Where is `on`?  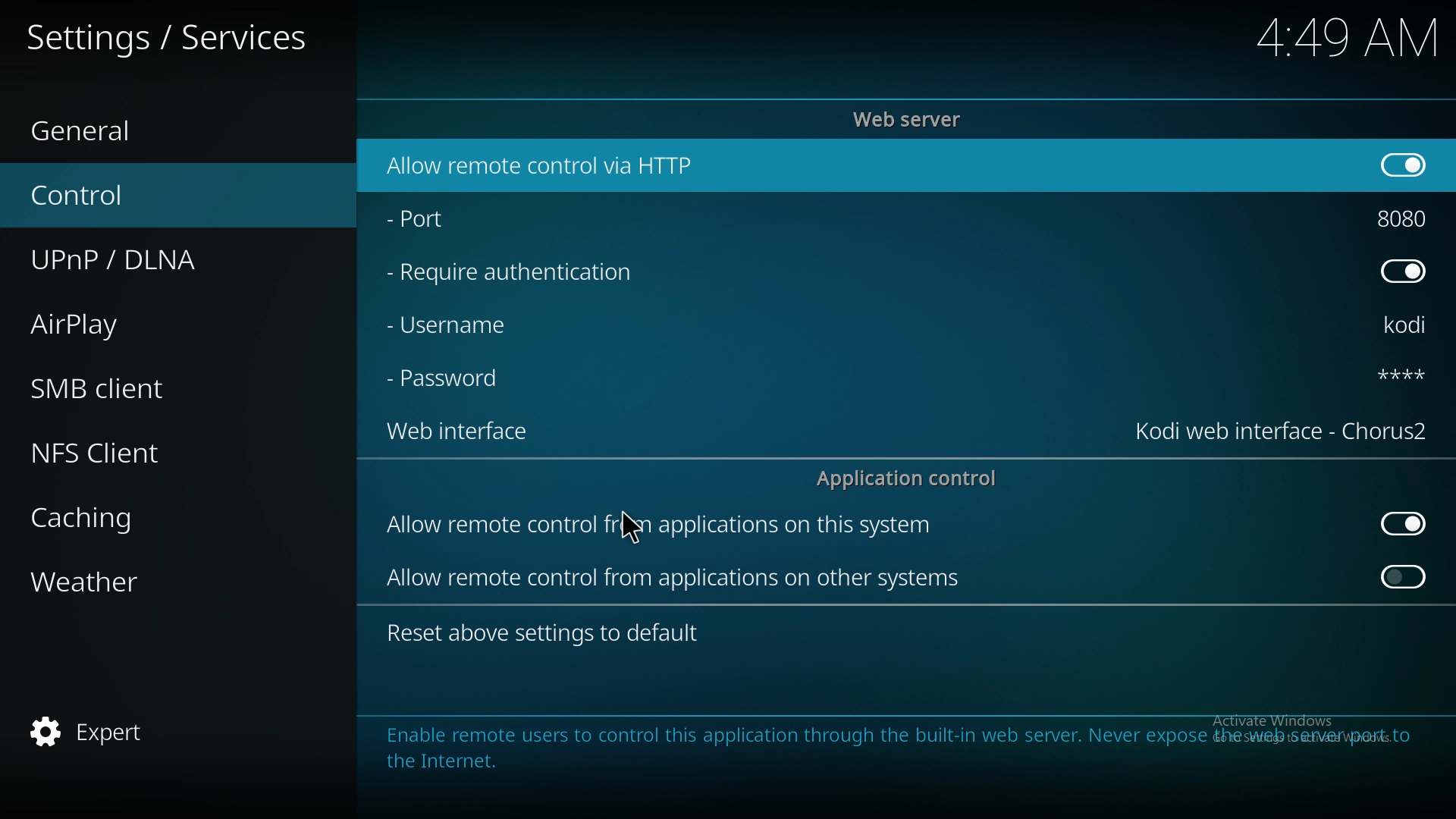 on is located at coordinates (1404, 580).